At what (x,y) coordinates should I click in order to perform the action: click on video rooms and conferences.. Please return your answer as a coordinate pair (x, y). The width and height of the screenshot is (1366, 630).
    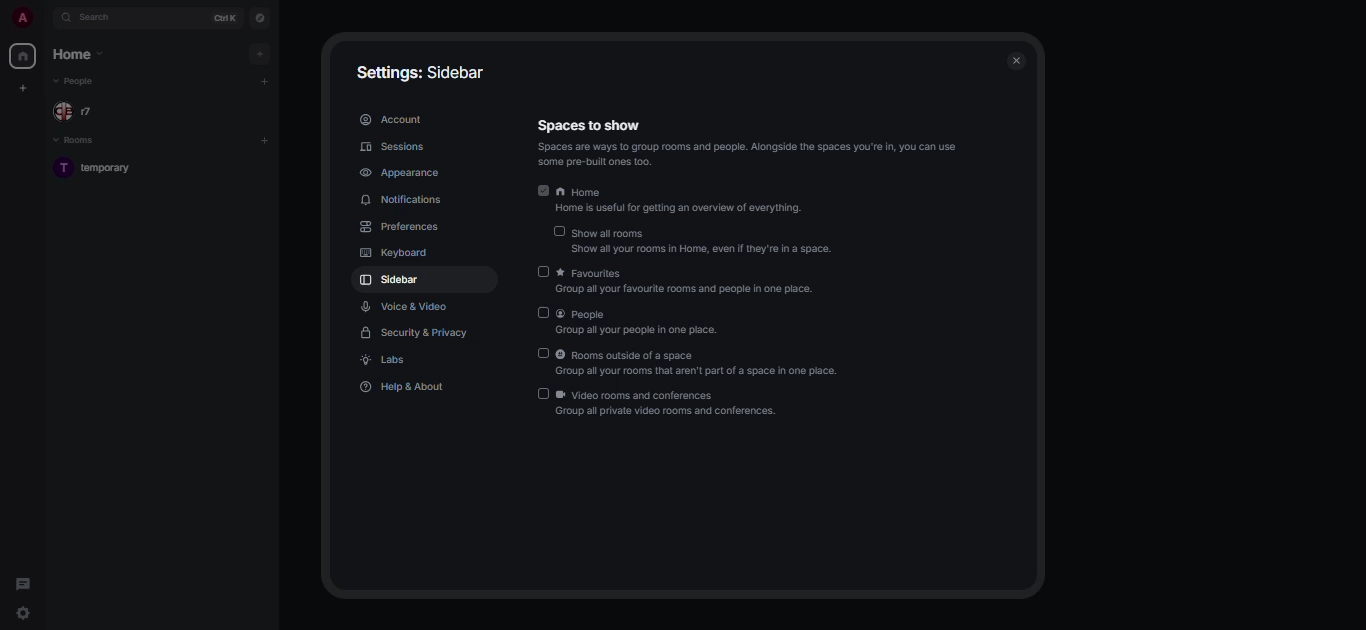
    Looking at the image, I should click on (676, 396).